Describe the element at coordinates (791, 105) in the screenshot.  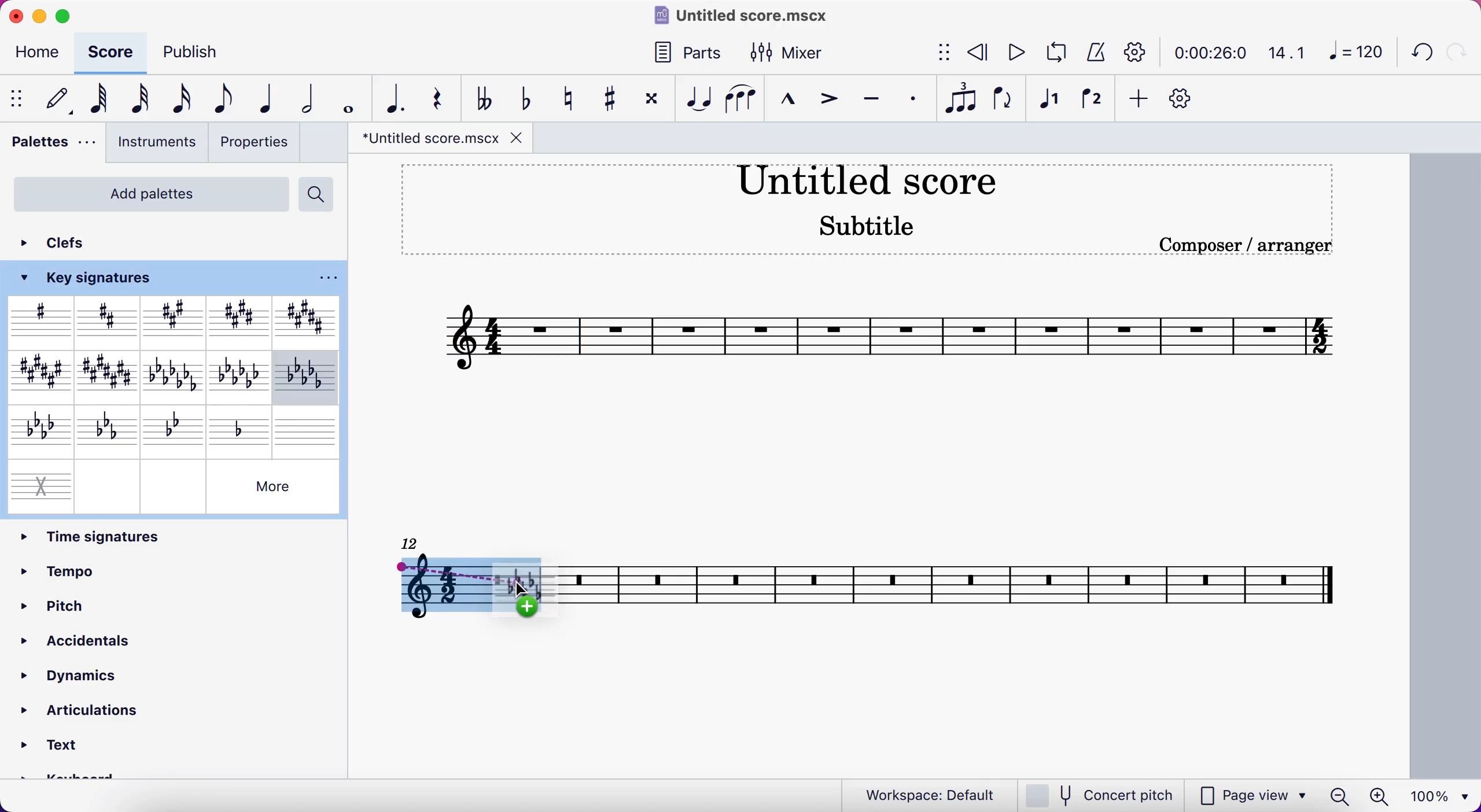
I see `marcato` at that location.